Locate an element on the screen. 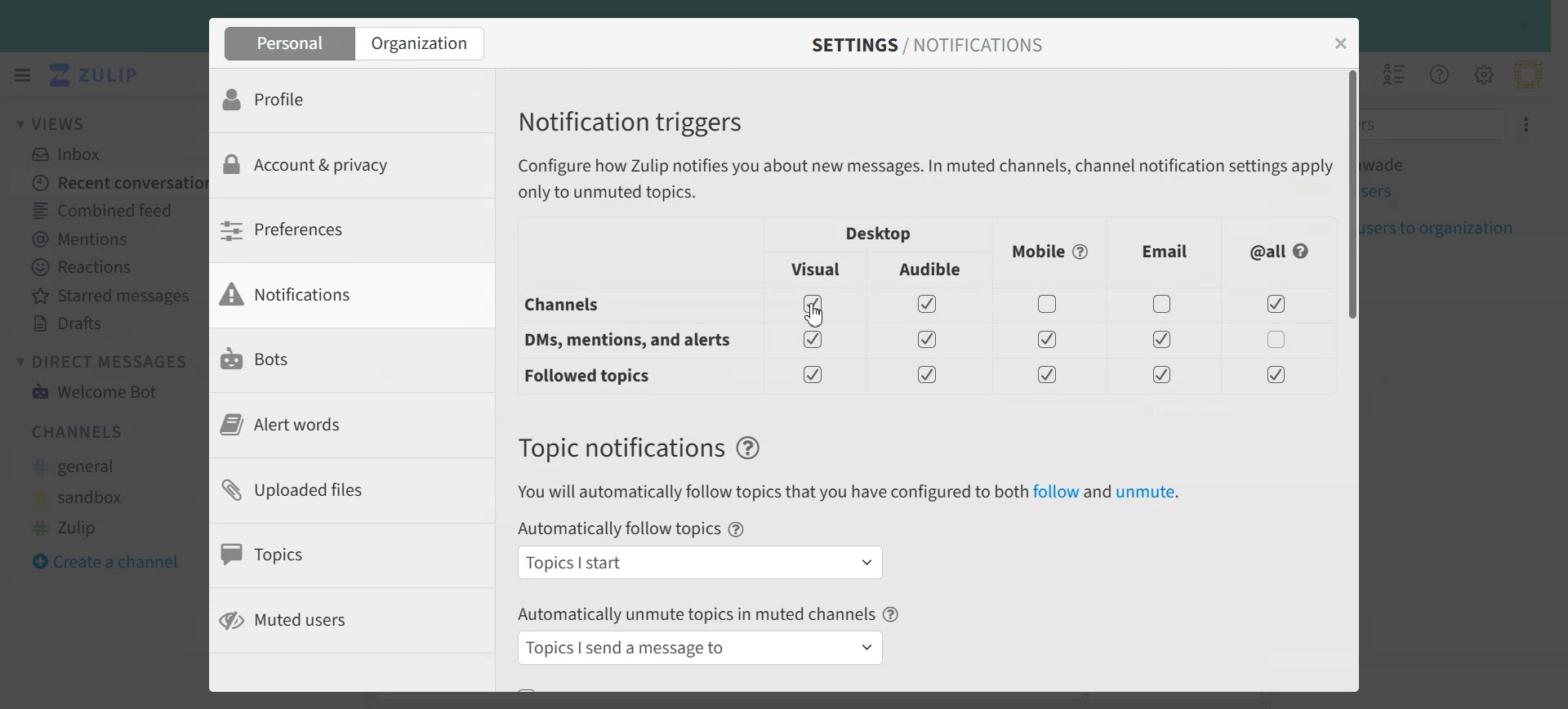 The height and width of the screenshot is (709, 1568). Topics is located at coordinates (330, 554).